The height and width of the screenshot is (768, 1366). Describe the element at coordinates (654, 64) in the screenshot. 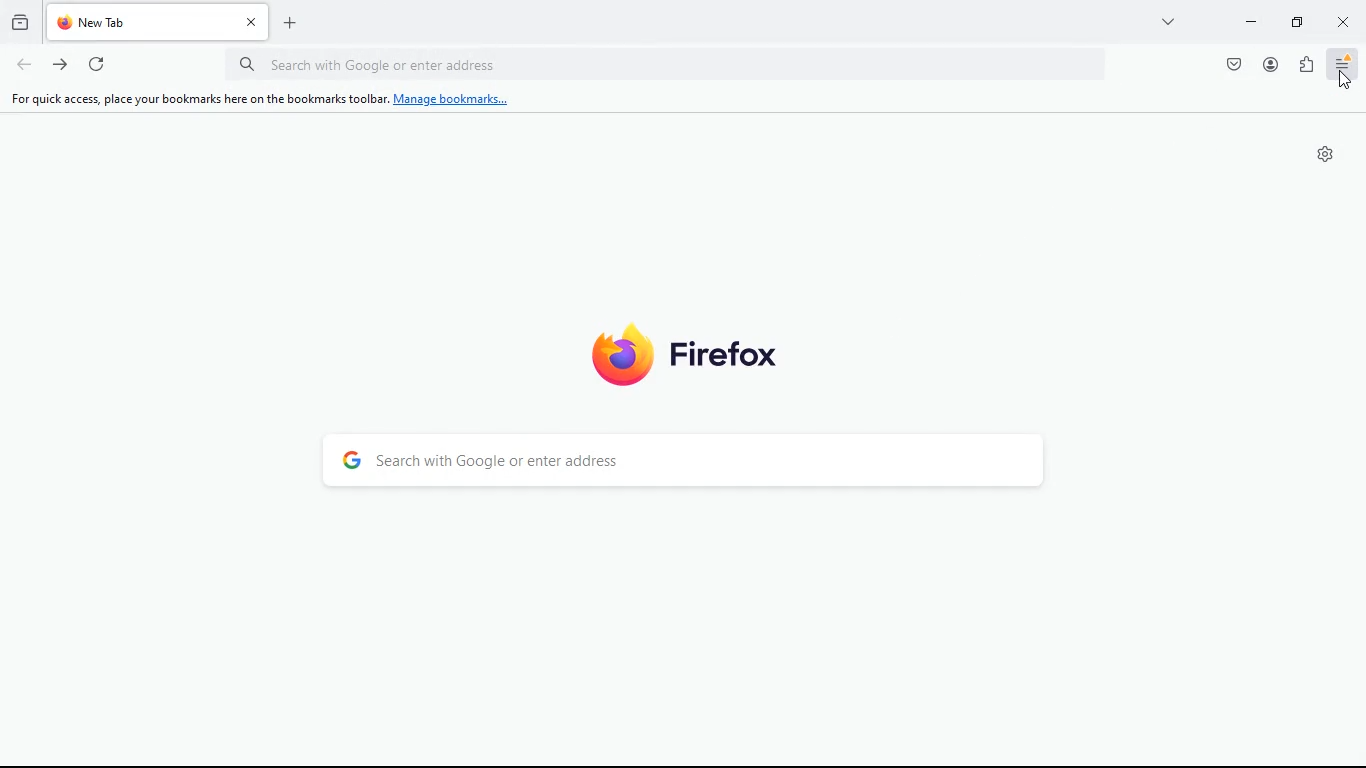

I see `url` at that location.